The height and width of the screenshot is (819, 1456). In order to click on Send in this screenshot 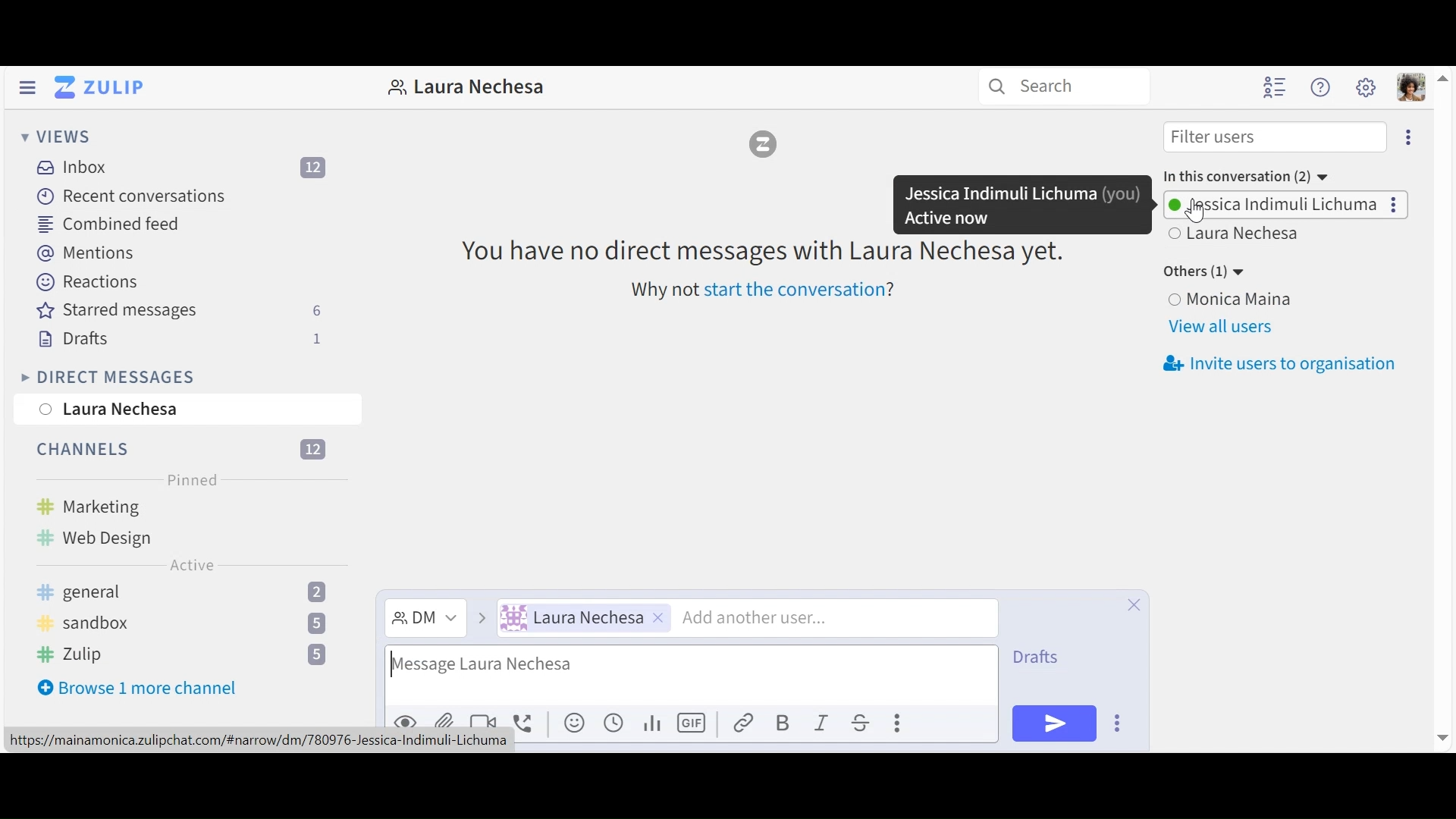, I will do `click(1053, 723)`.